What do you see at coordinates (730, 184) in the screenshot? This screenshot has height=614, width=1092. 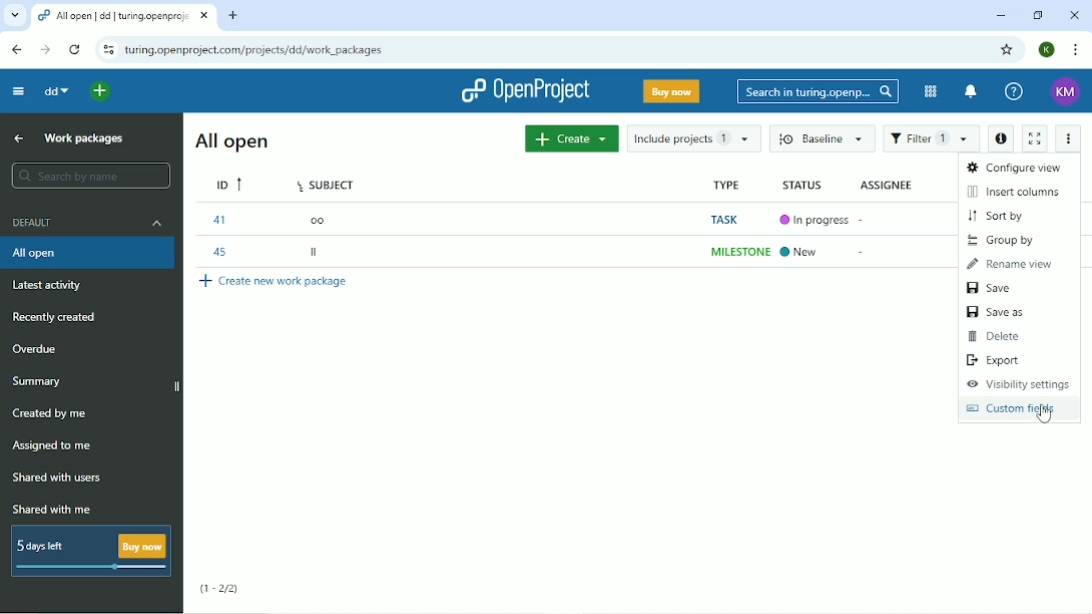 I see `Type` at bounding box center [730, 184].